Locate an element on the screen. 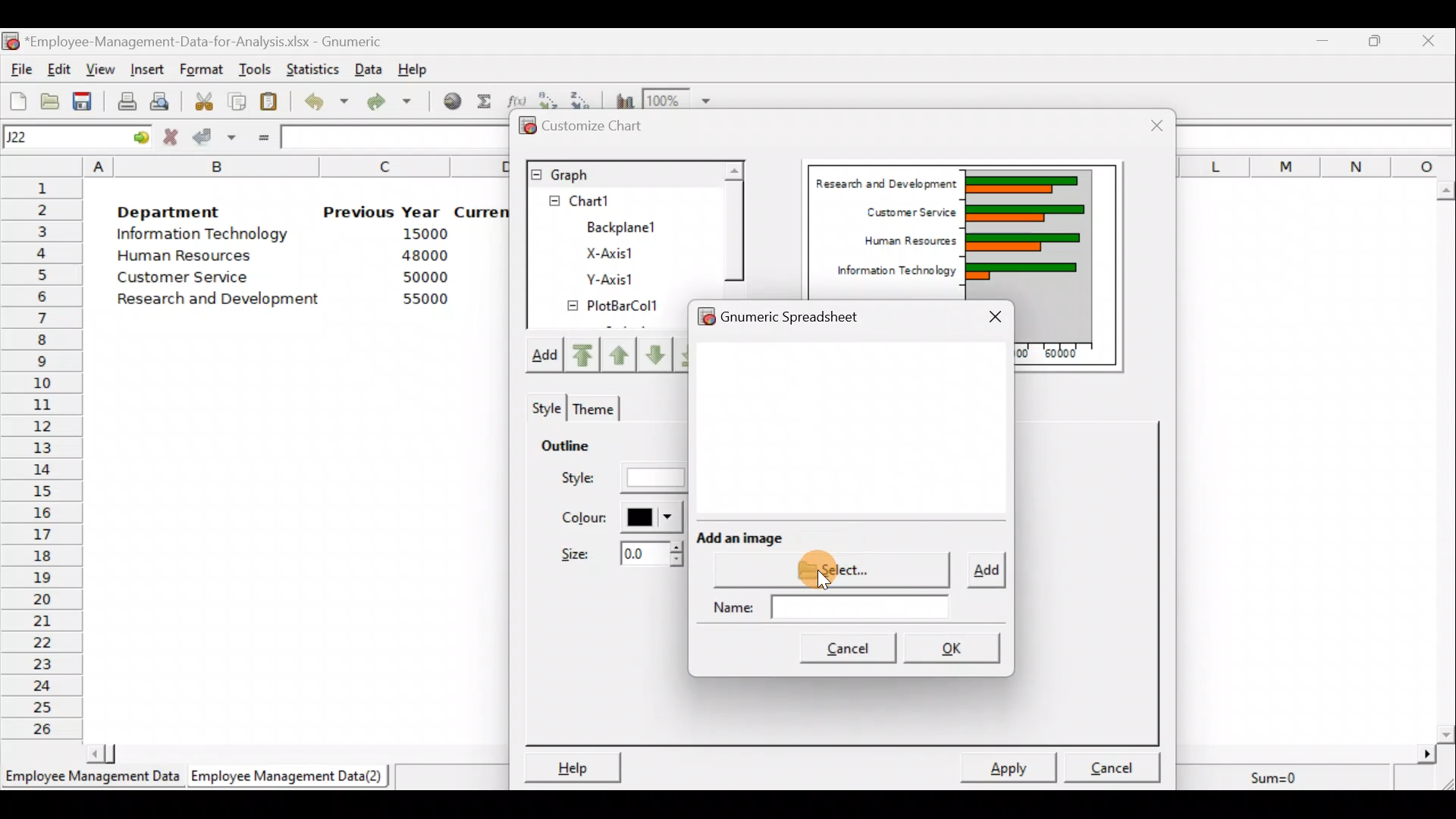 This screenshot has height=819, width=1456. Help is located at coordinates (573, 764).